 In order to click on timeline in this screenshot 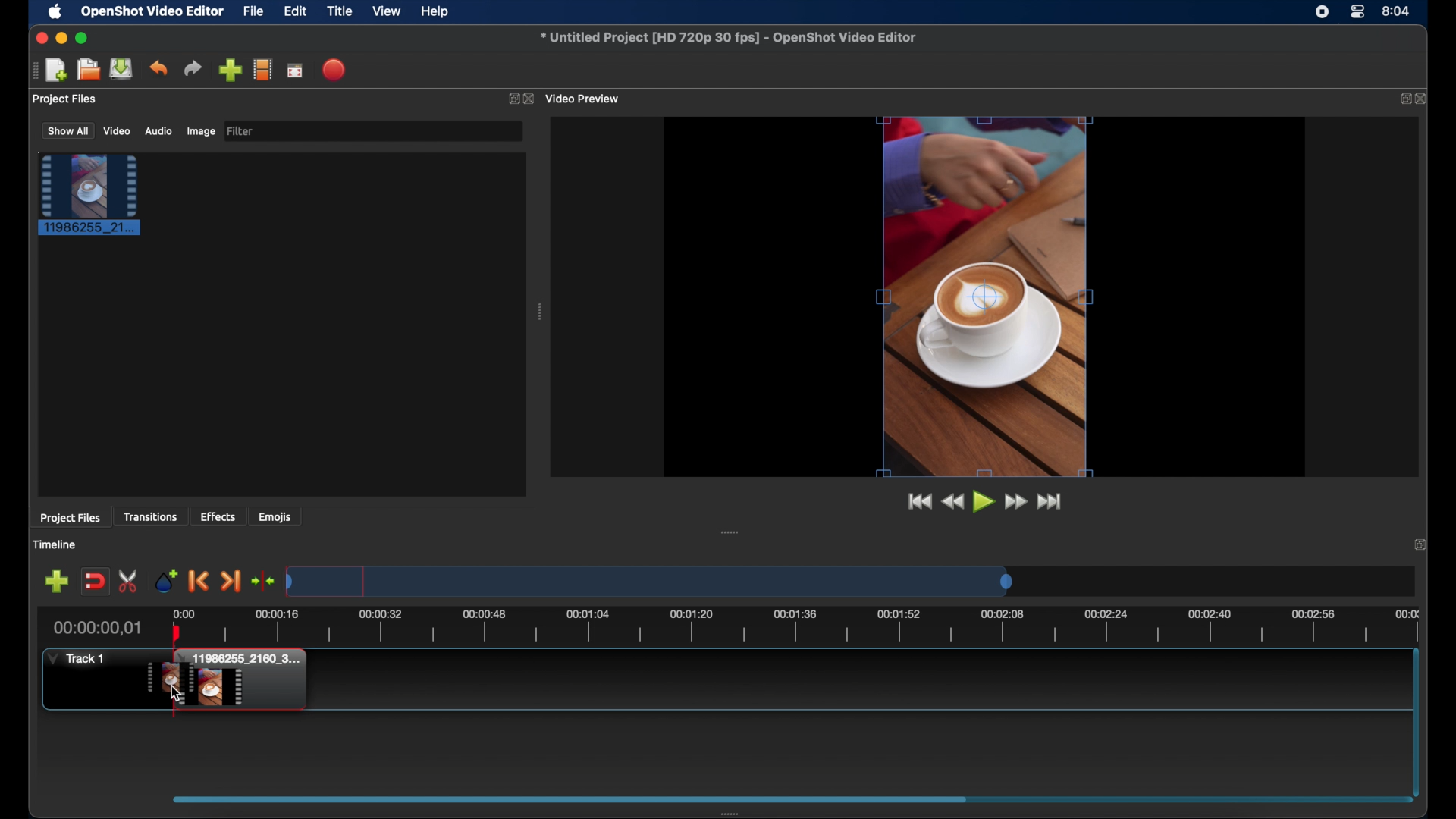, I will do `click(56, 544)`.